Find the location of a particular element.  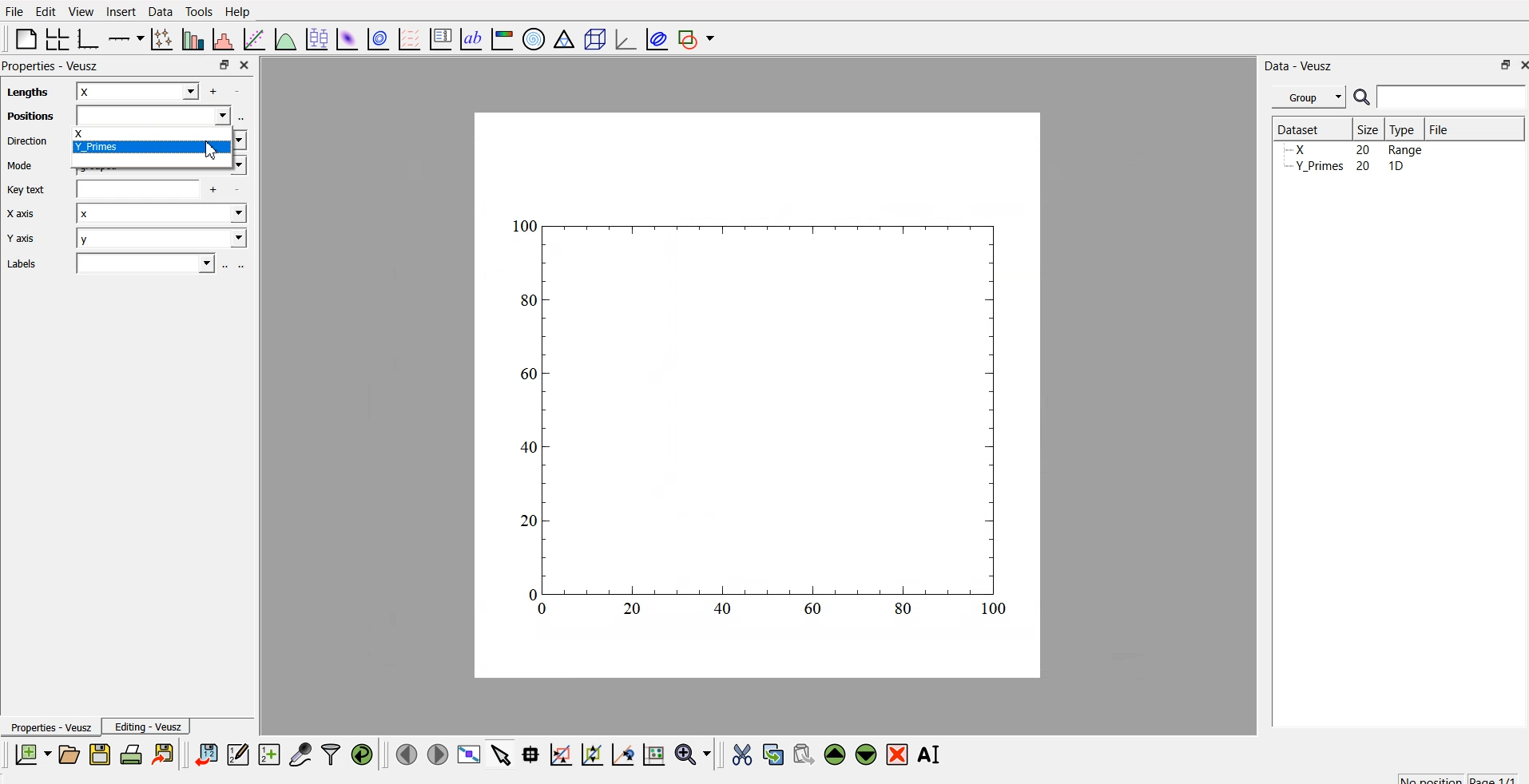

export to graphics format is located at coordinates (166, 754).